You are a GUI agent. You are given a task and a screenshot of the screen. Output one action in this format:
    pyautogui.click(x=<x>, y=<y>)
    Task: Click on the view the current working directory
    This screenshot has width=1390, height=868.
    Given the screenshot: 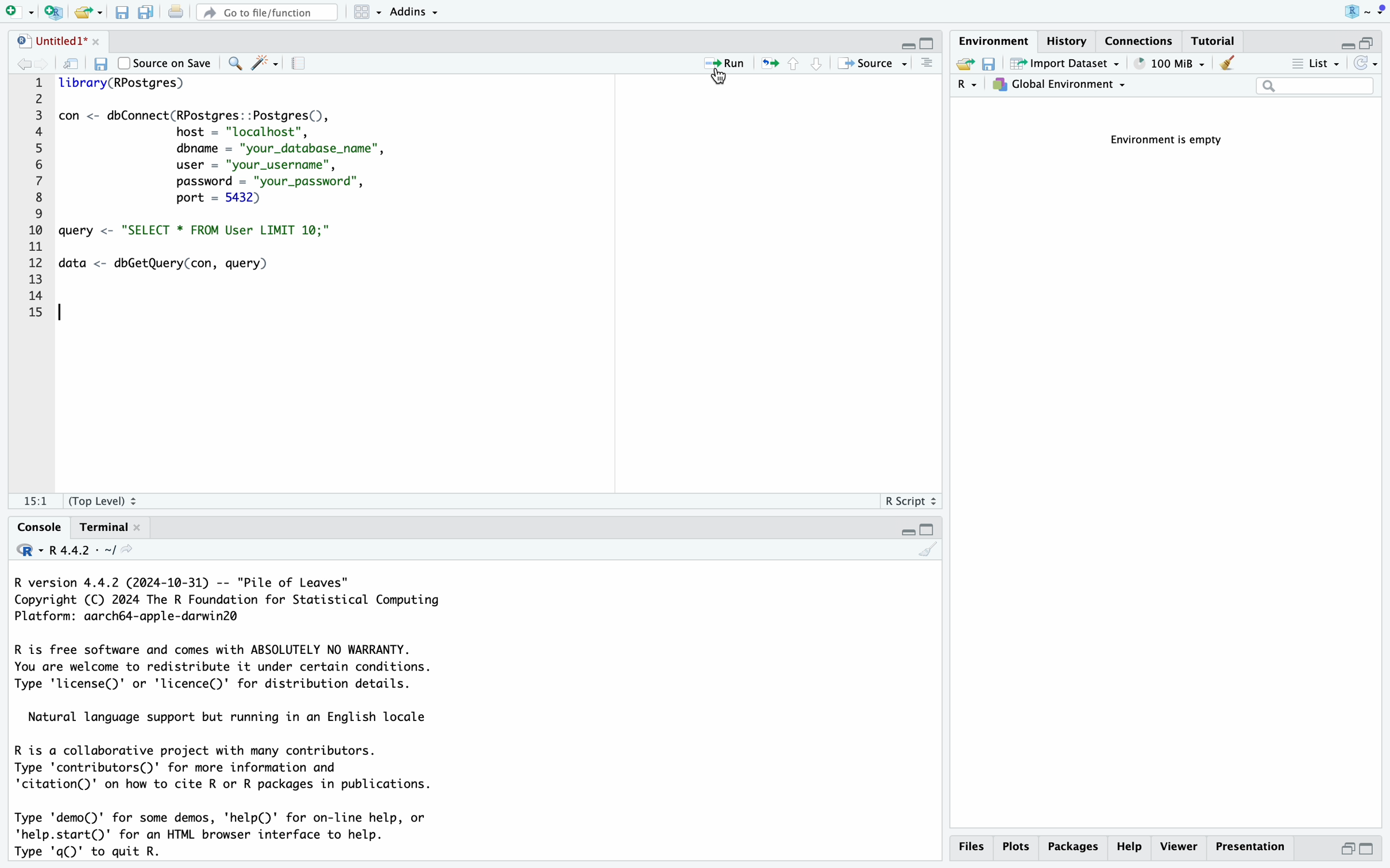 What is the action you would take?
    pyautogui.click(x=141, y=551)
    